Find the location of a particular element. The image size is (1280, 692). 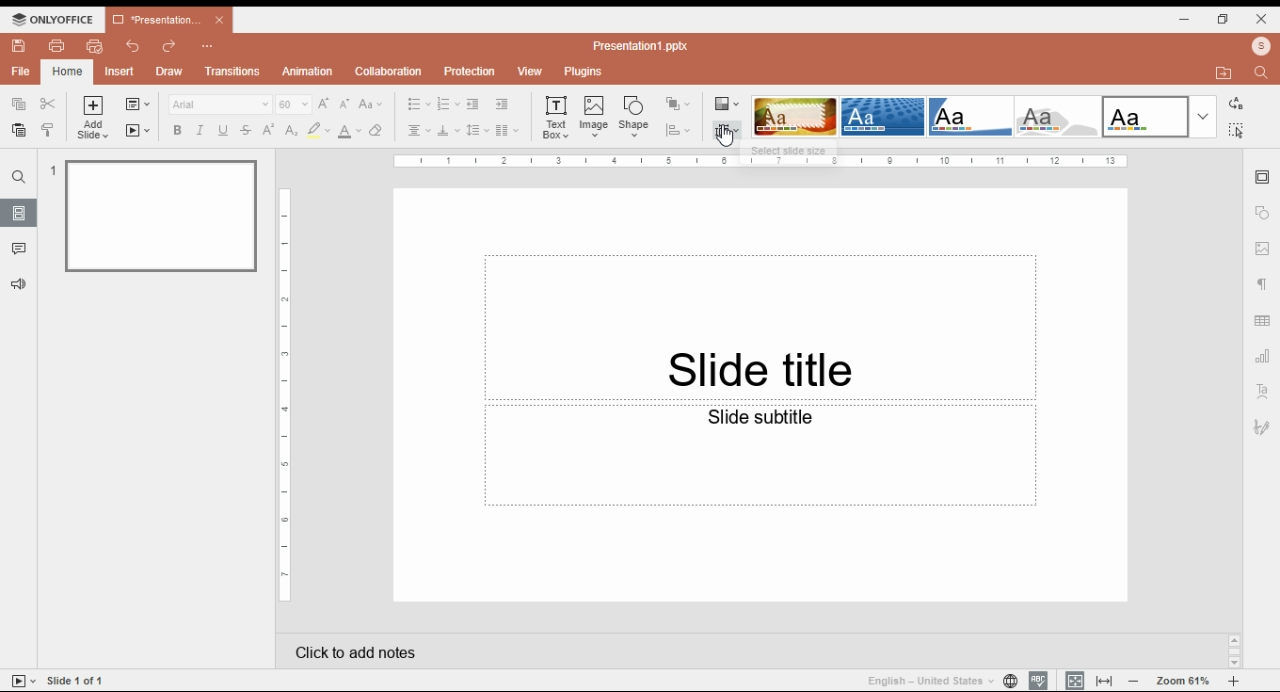

replace is located at coordinates (1234, 104).